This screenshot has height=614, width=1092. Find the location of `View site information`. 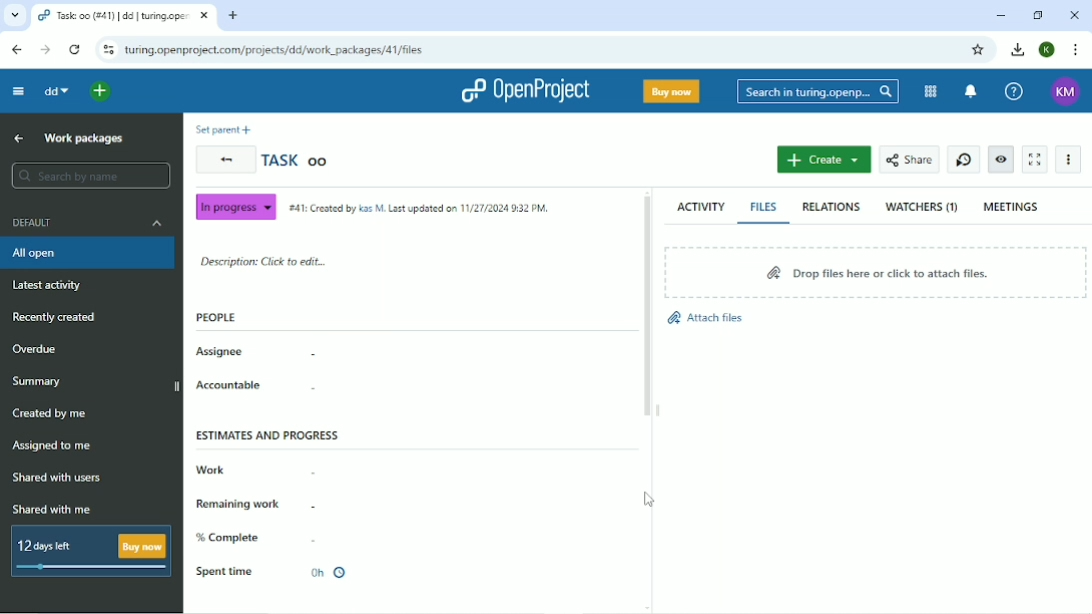

View site information is located at coordinates (107, 50).